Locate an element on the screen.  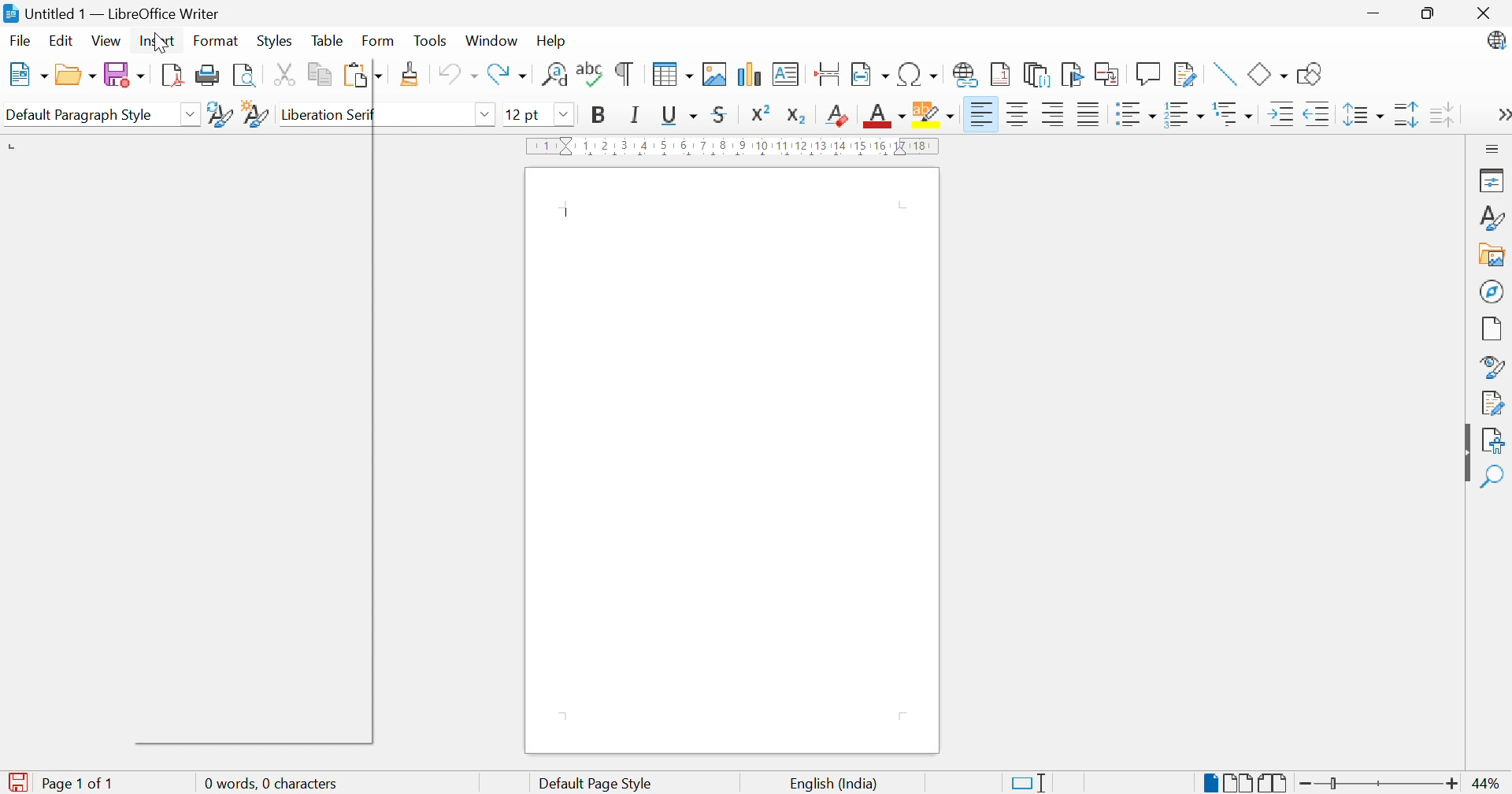
Align center is located at coordinates (1018, 115).